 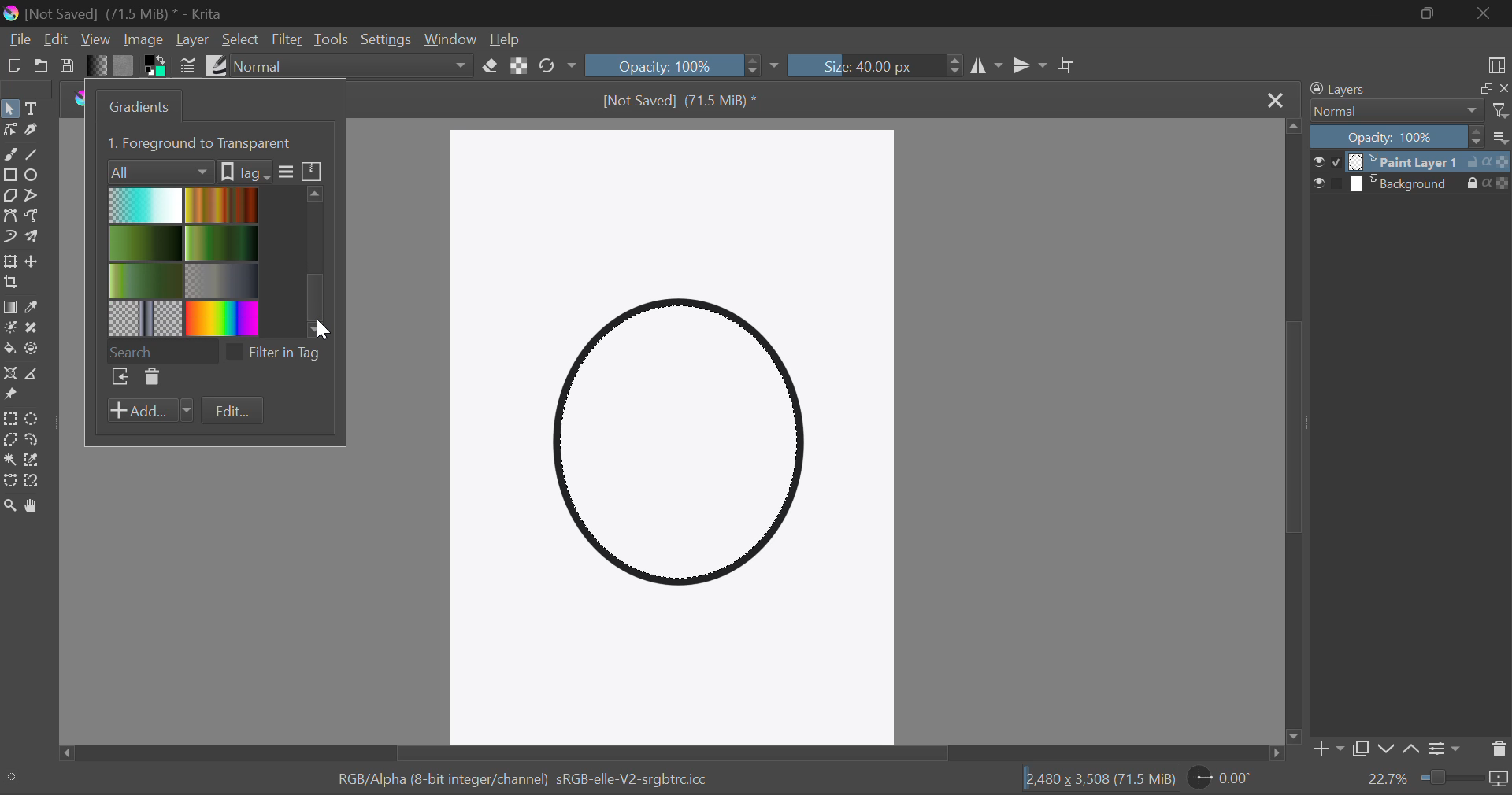 I want to click on Pan, so click(x=35, y=507).